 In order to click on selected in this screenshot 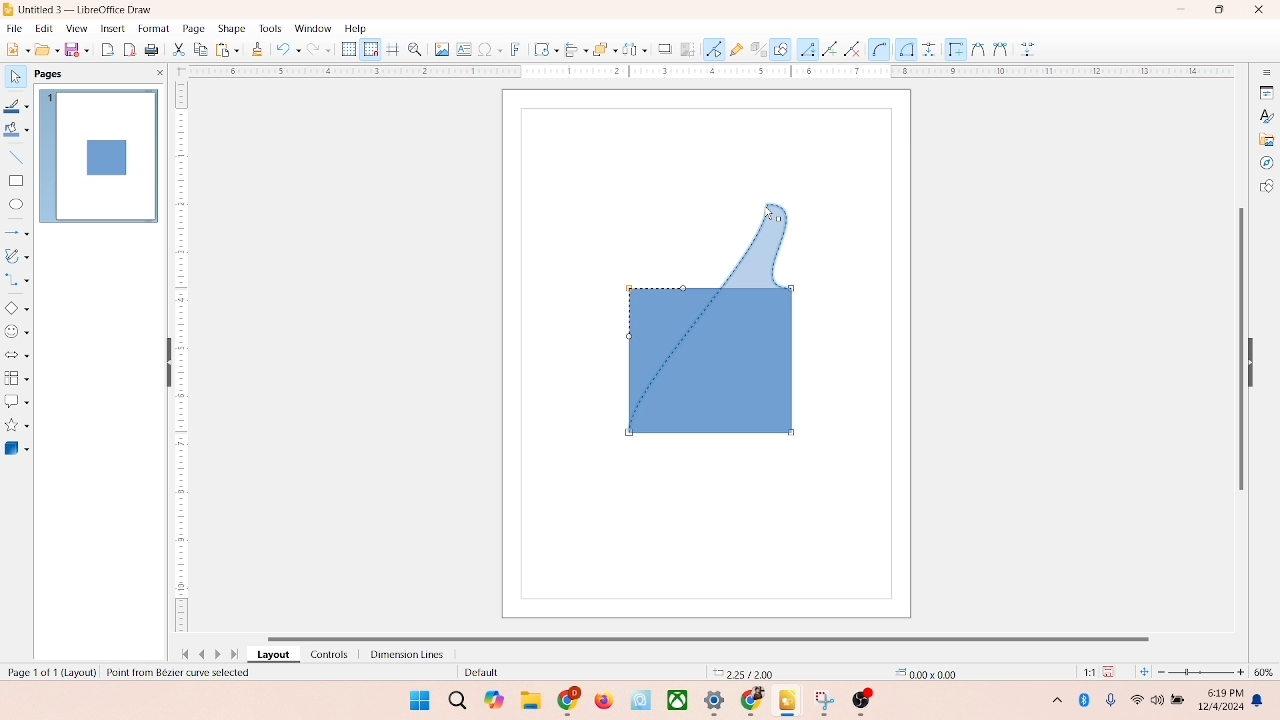, I will do `click(177, 673)`.